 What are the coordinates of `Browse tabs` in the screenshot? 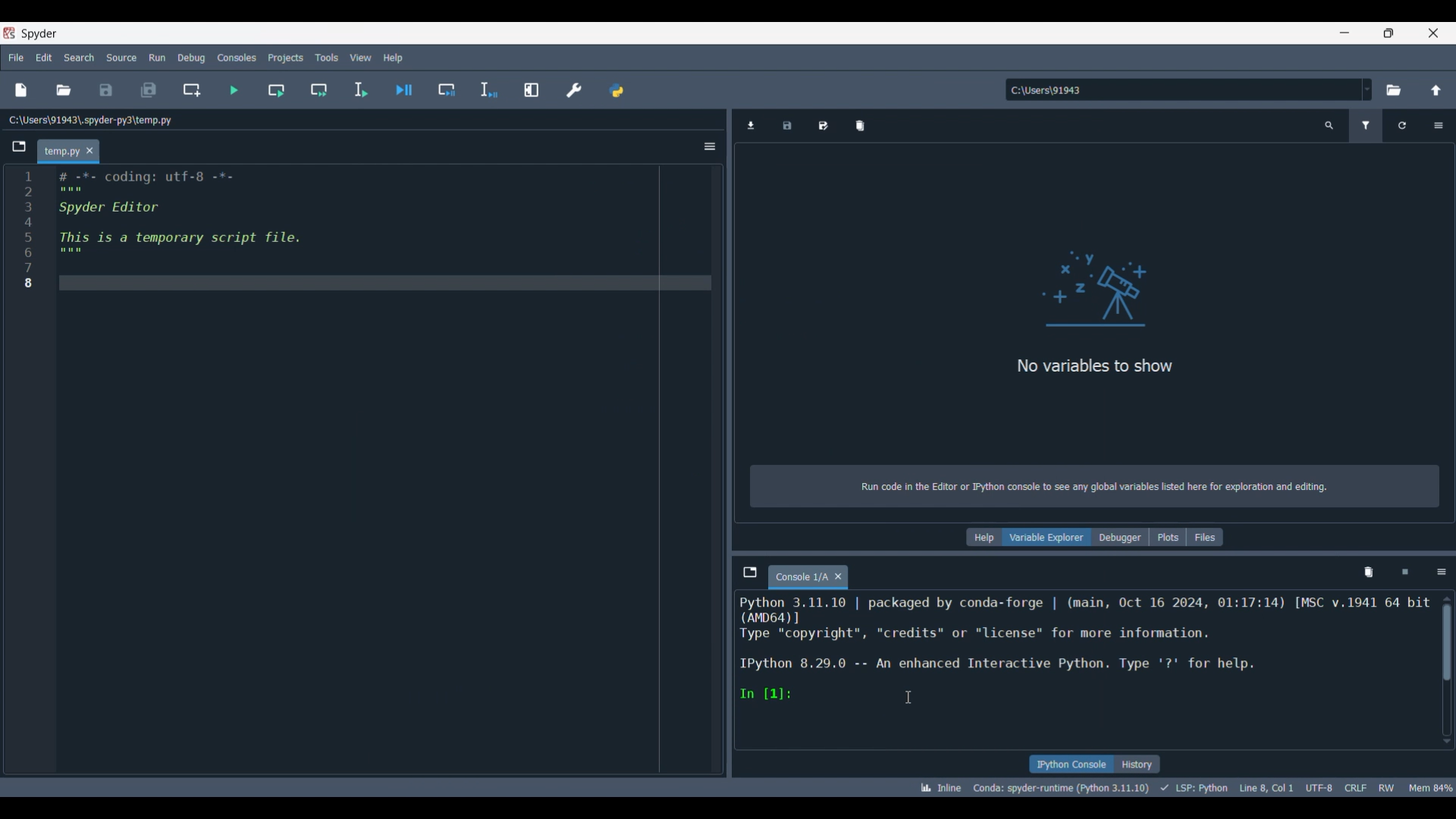 It's located at (750, 572).